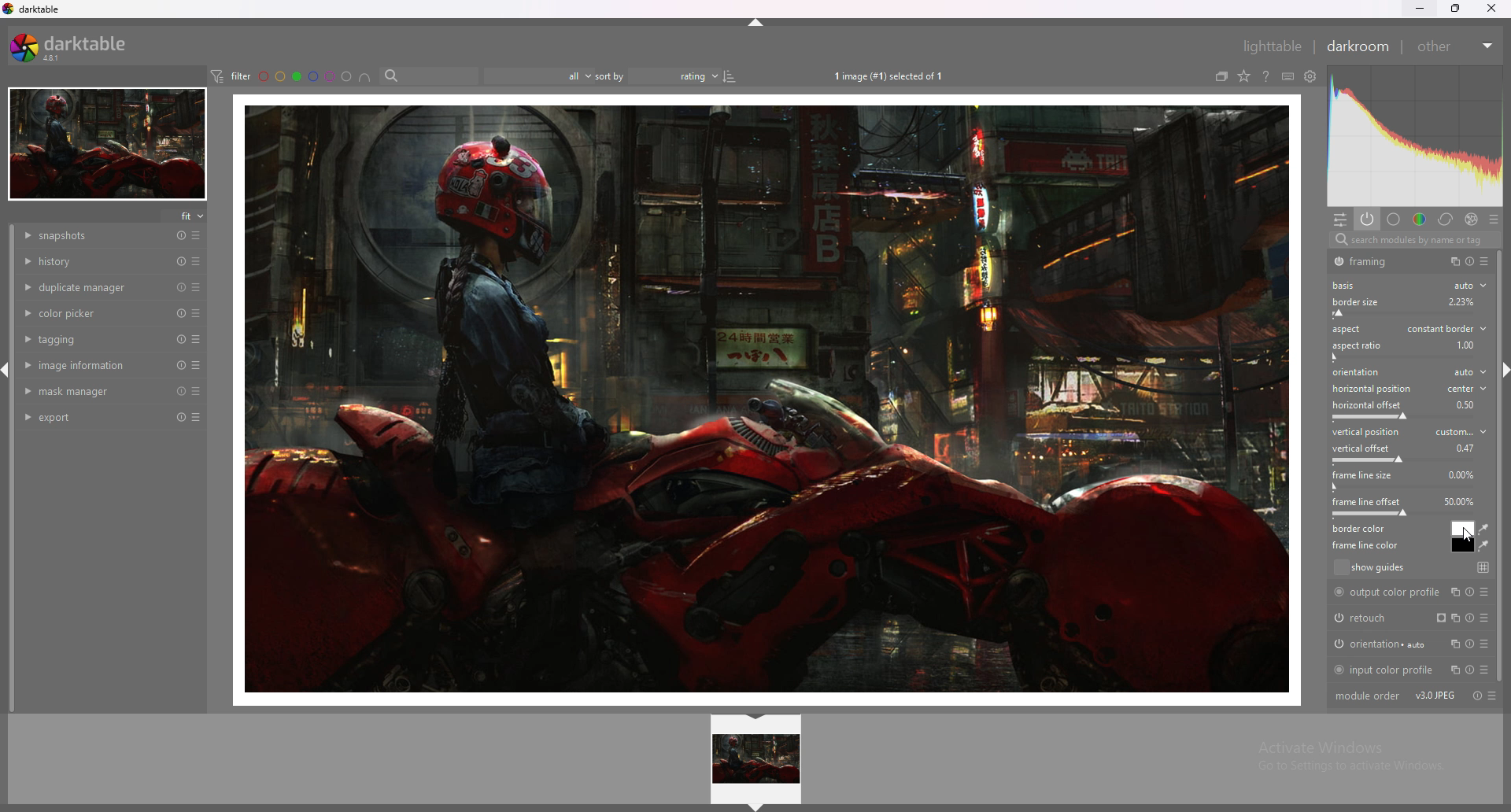  What do you see at coordinates (1469, 218) in the screenshot?
I see `effect` at bounding box center [1469, 218].